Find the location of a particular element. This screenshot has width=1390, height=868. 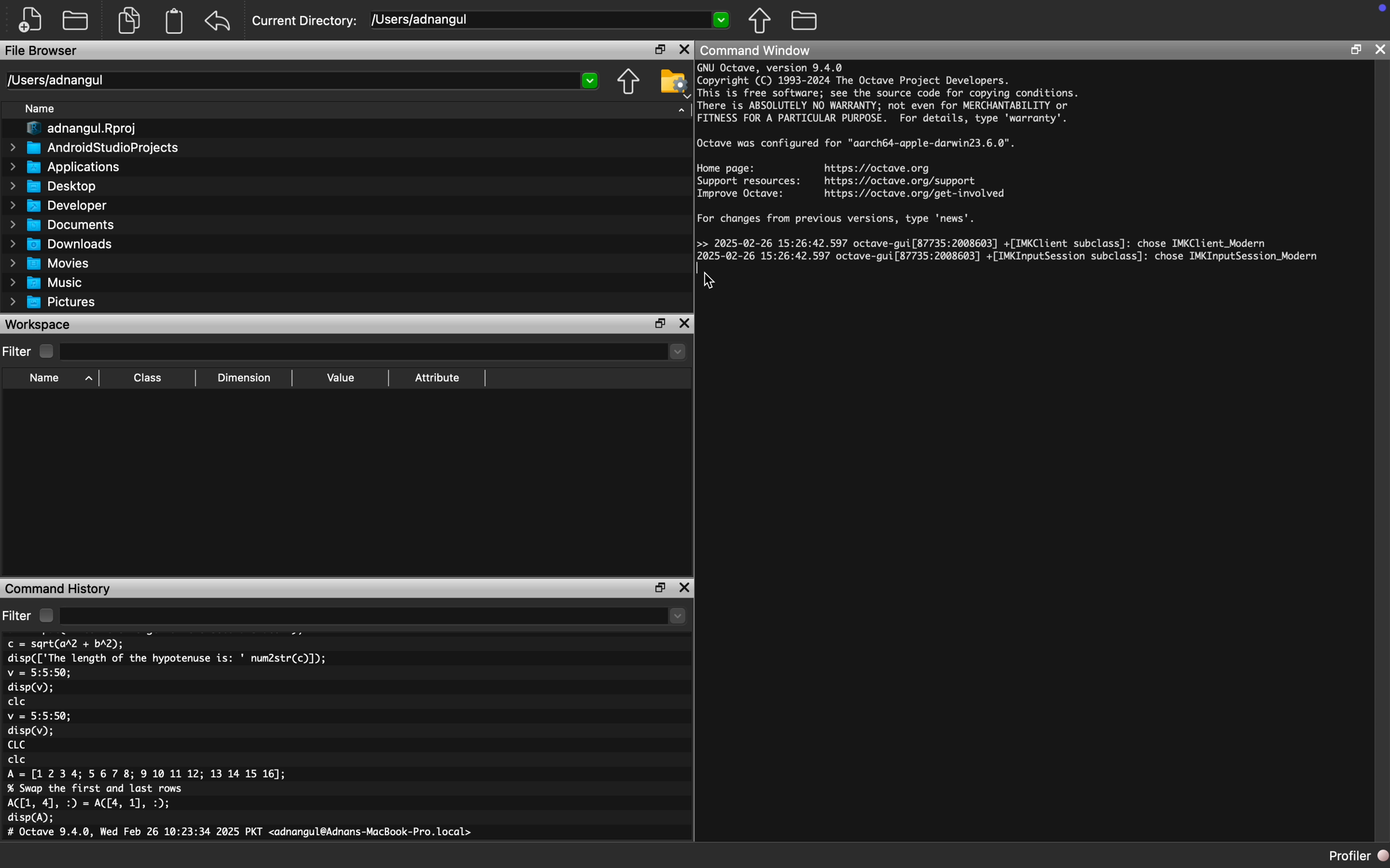

v = 5:5:50; is located at coordinates (39, 716).